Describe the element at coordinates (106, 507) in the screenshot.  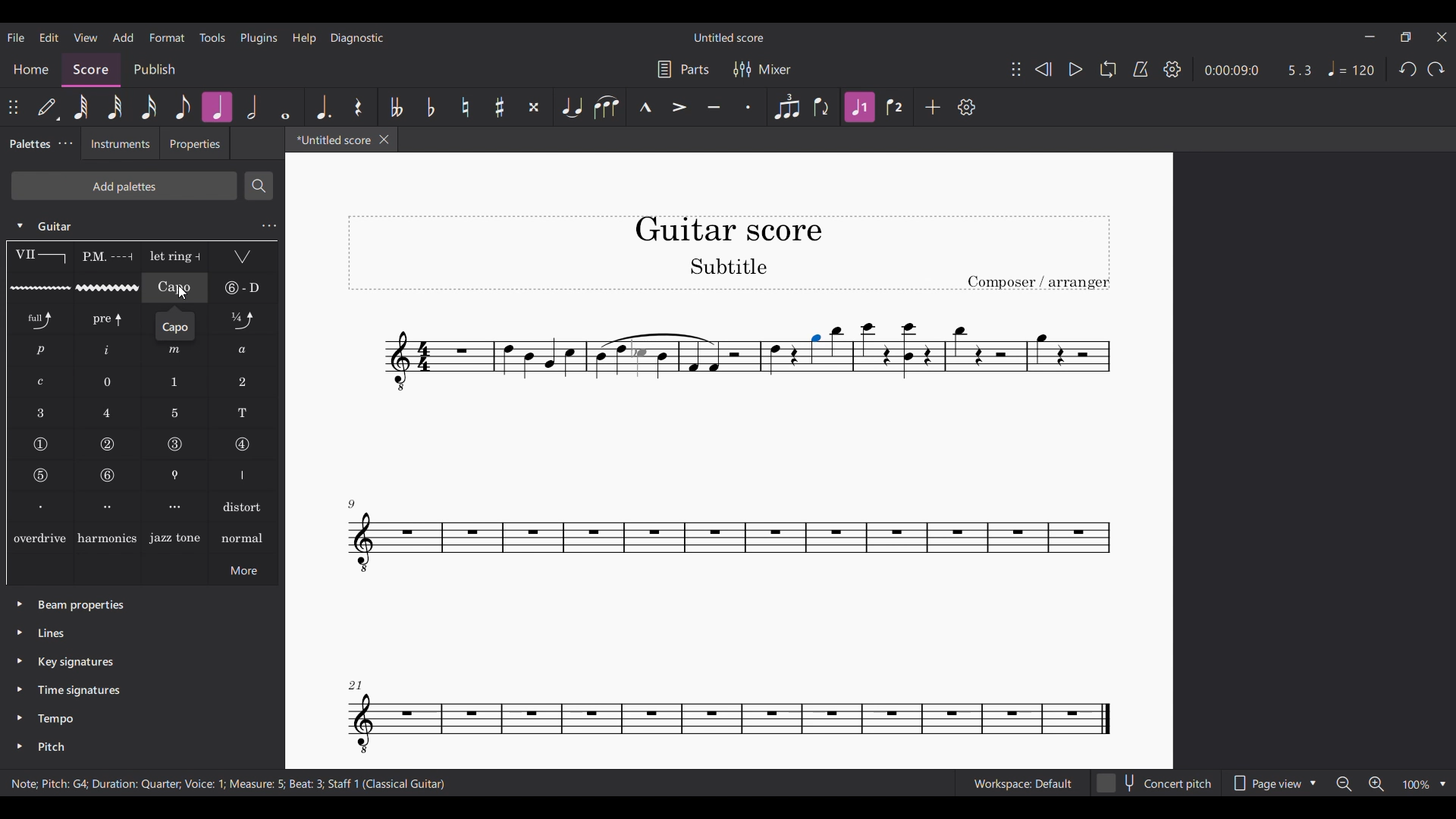
I see `Right hand figuring, second finger` at that location.